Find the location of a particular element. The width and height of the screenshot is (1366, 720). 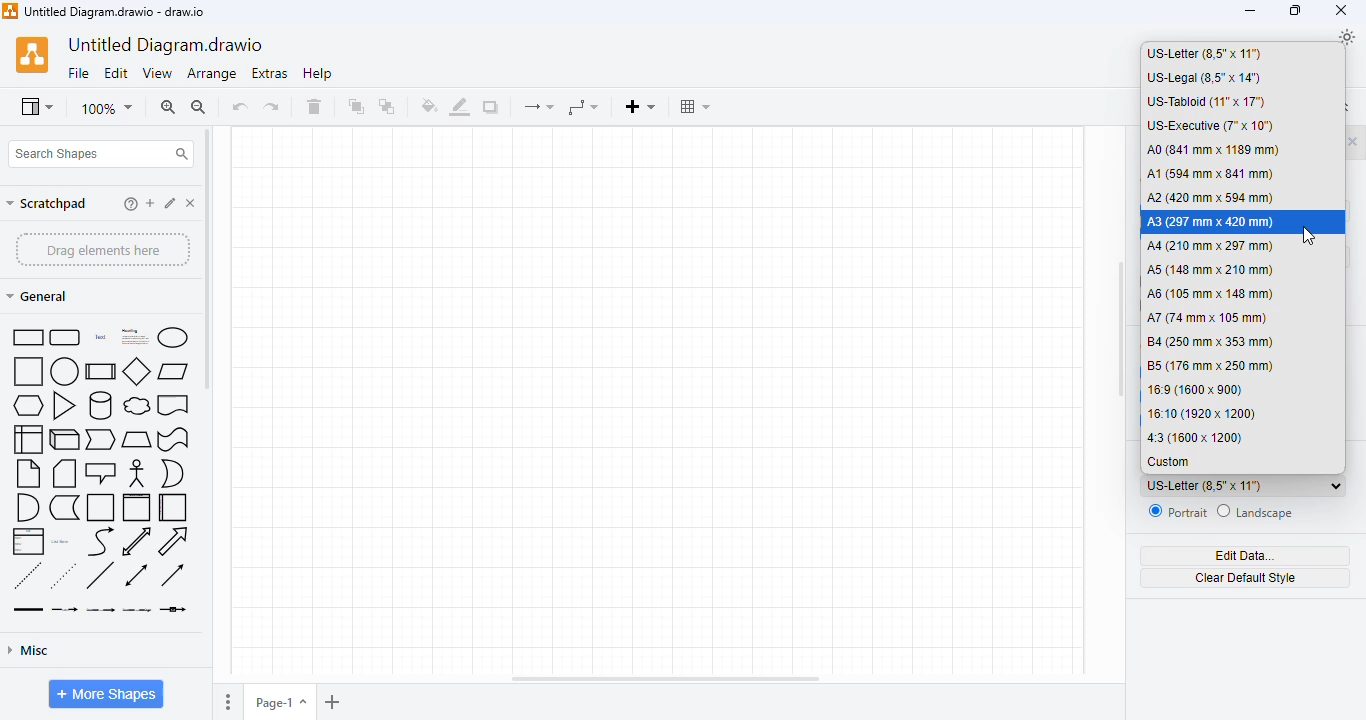

portrait is located at coordinates (1177, 512).